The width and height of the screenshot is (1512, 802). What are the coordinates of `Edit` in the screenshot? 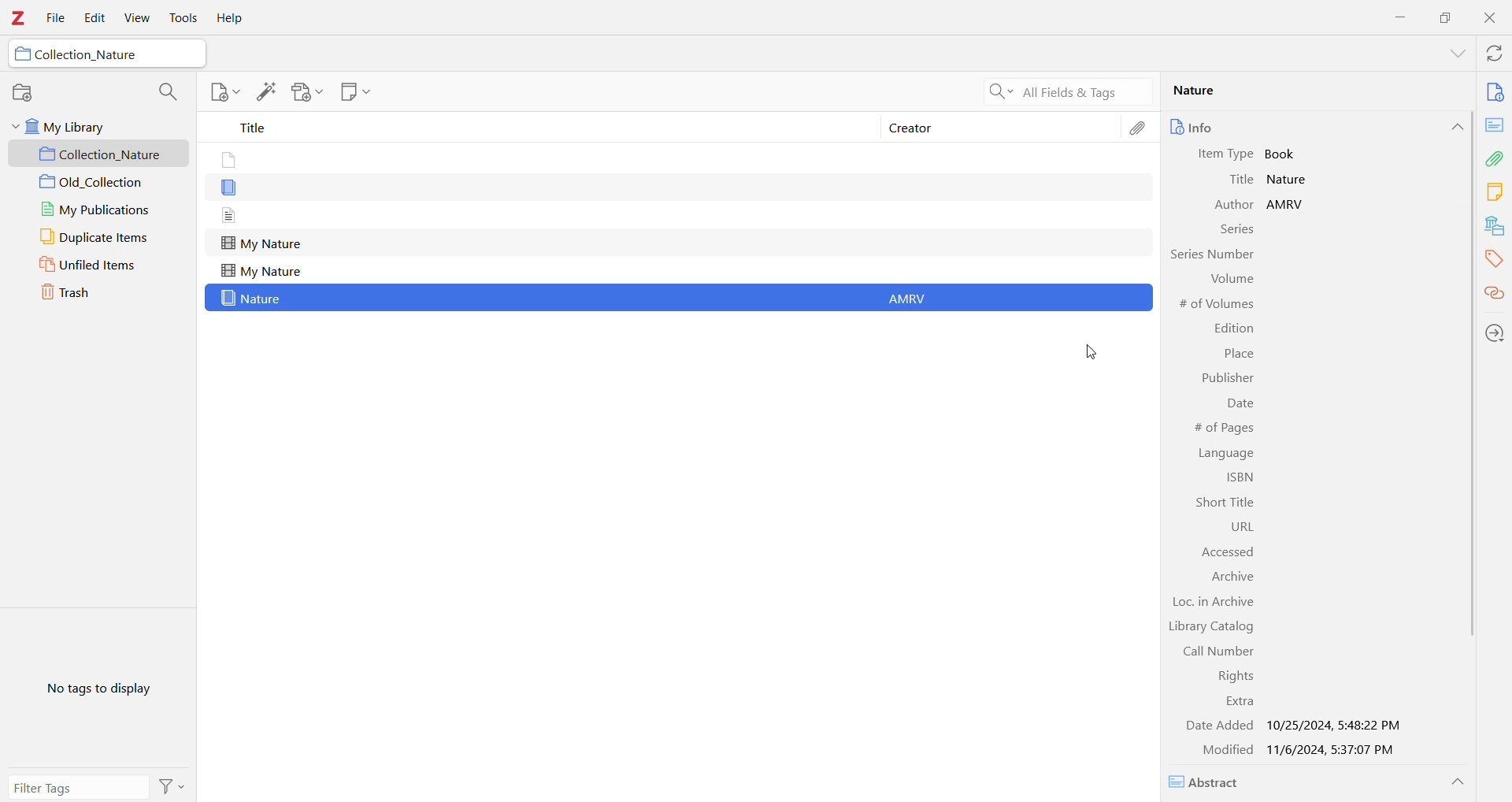 It's located at (91, 19).